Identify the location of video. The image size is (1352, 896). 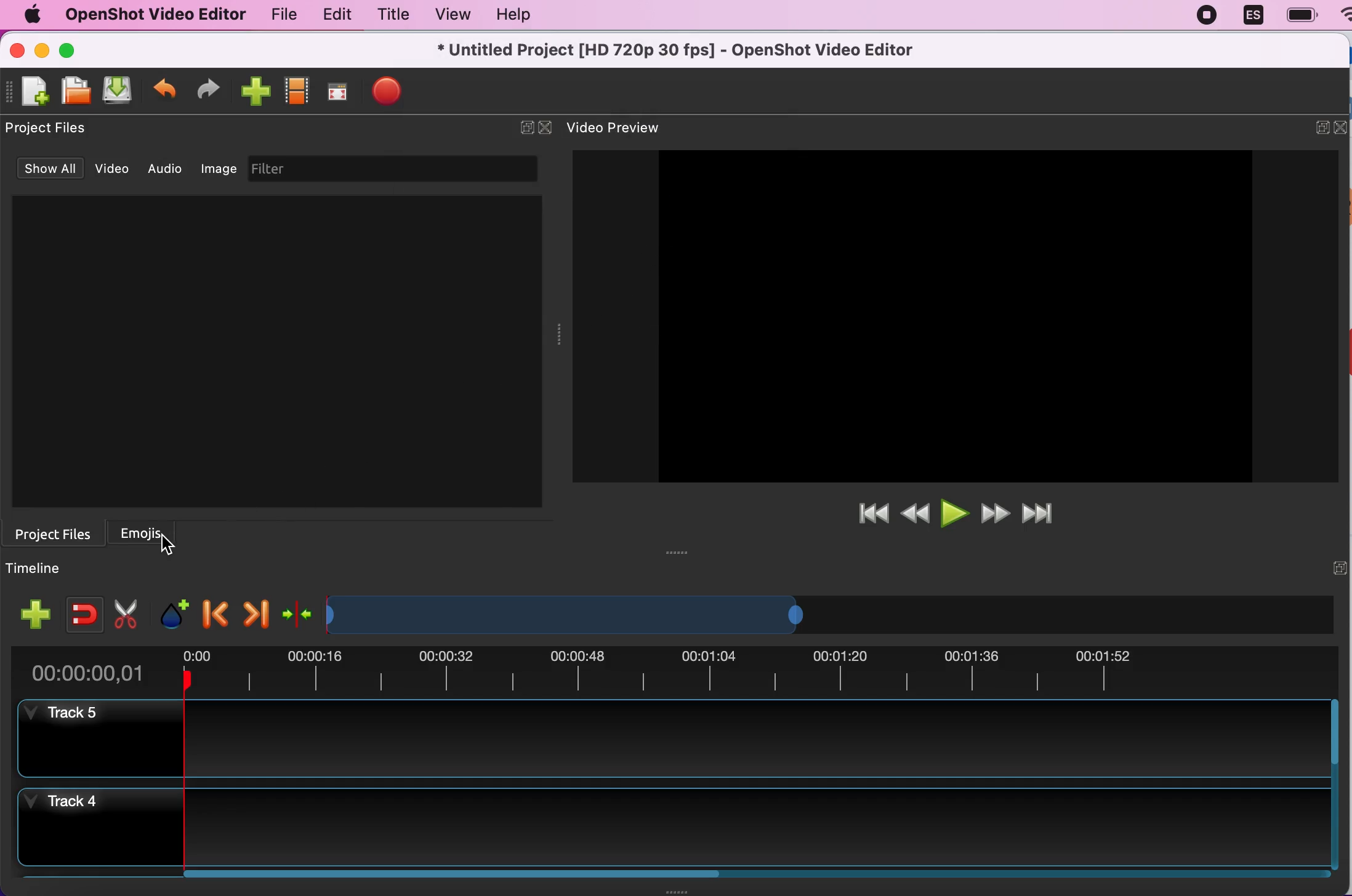
(113, 167).